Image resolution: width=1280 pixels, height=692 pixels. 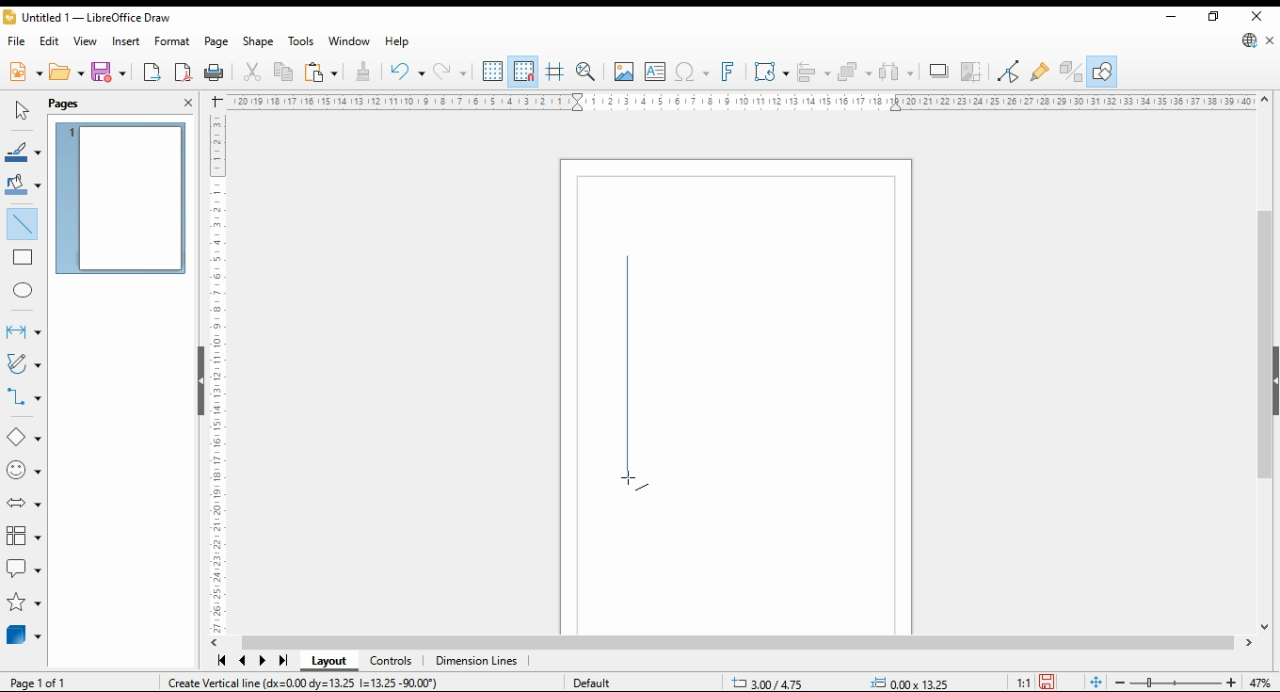 I want to click on zoom slider, so click(x=1176, y=683).